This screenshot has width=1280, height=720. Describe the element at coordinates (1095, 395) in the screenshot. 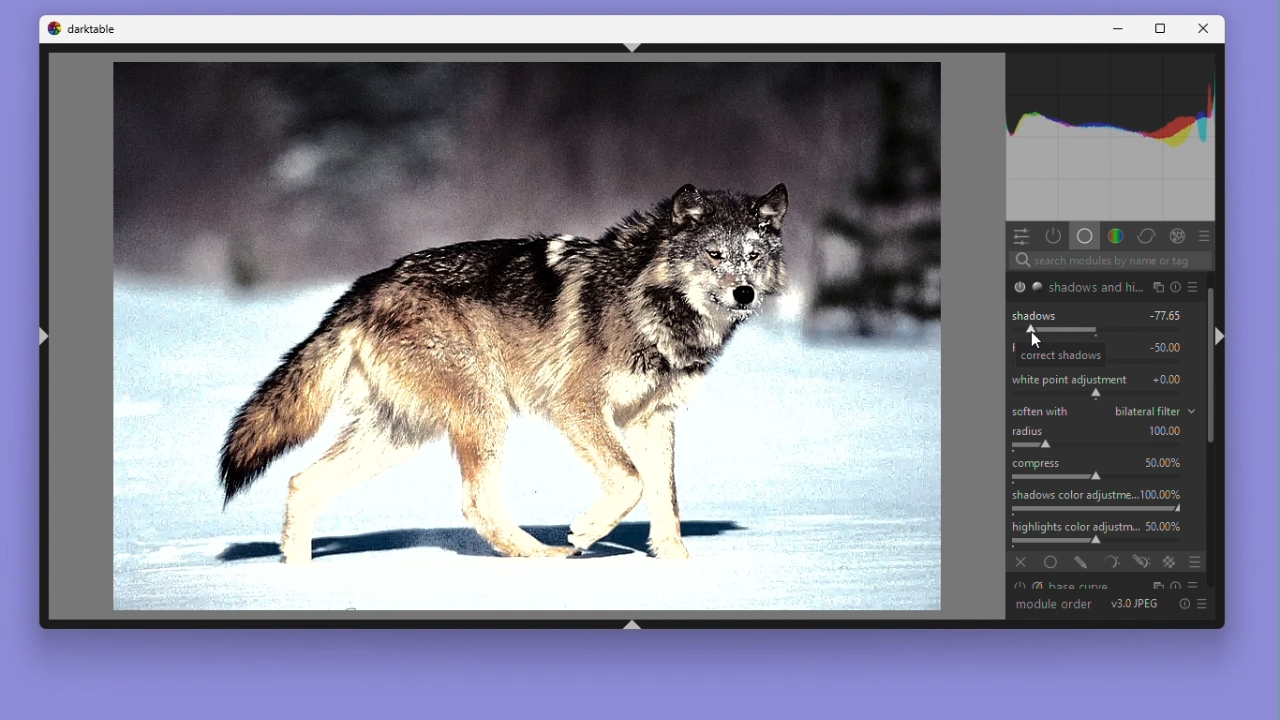

I see `shift white point` at that location.